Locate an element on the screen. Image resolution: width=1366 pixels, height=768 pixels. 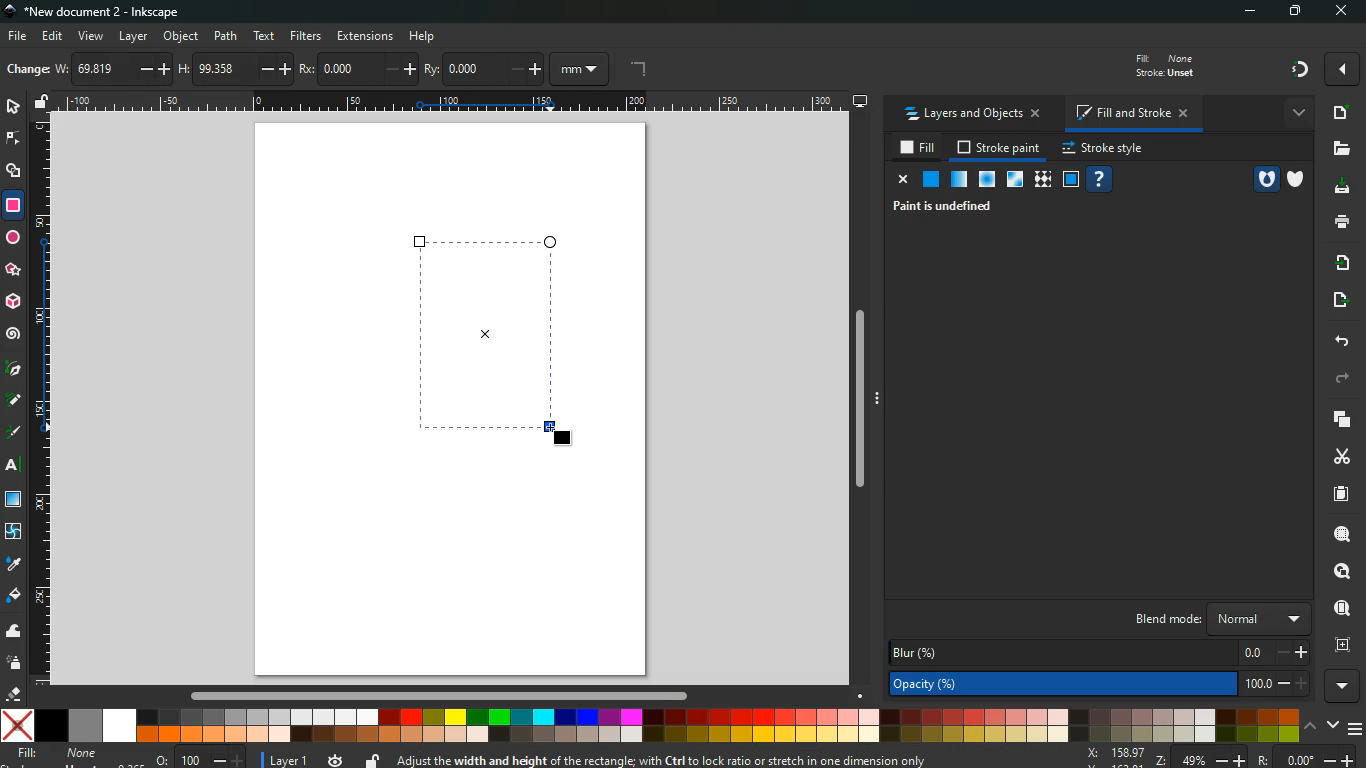
window is located at coordinates (1071, 180).